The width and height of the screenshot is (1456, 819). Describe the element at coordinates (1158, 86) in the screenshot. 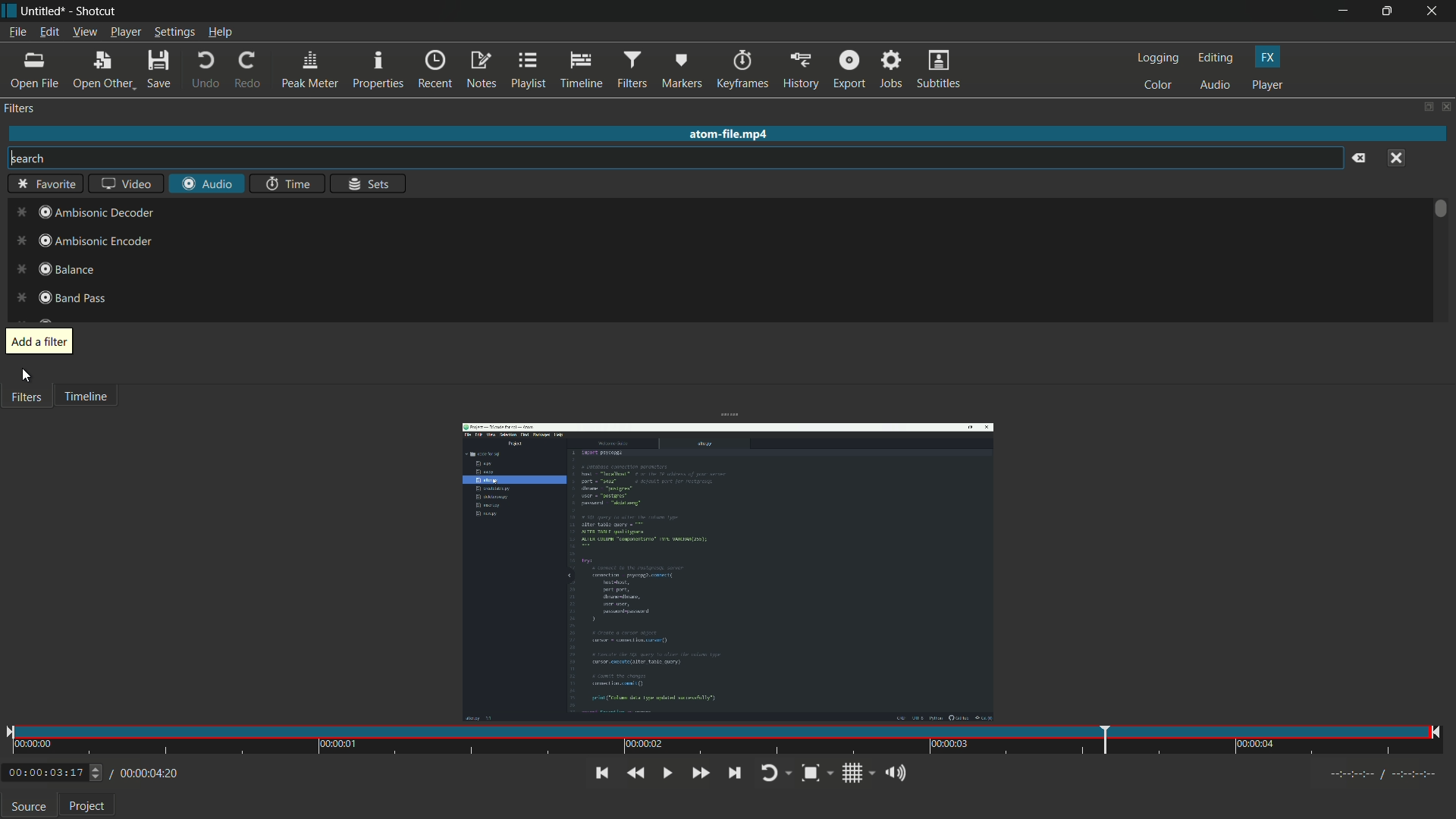

I see `color` at that location.